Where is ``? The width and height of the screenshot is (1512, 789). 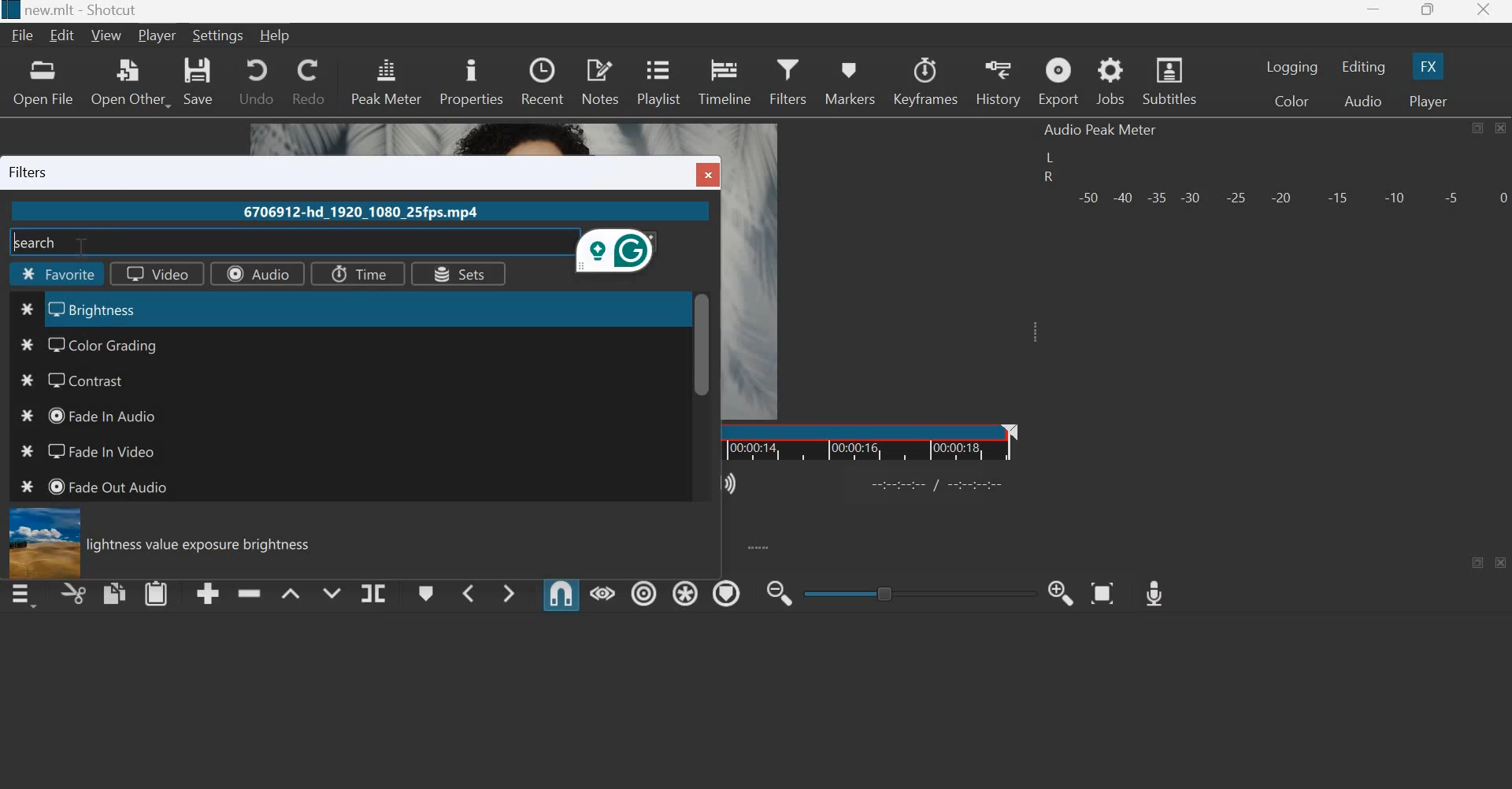  is located at coordinates (939, 483).